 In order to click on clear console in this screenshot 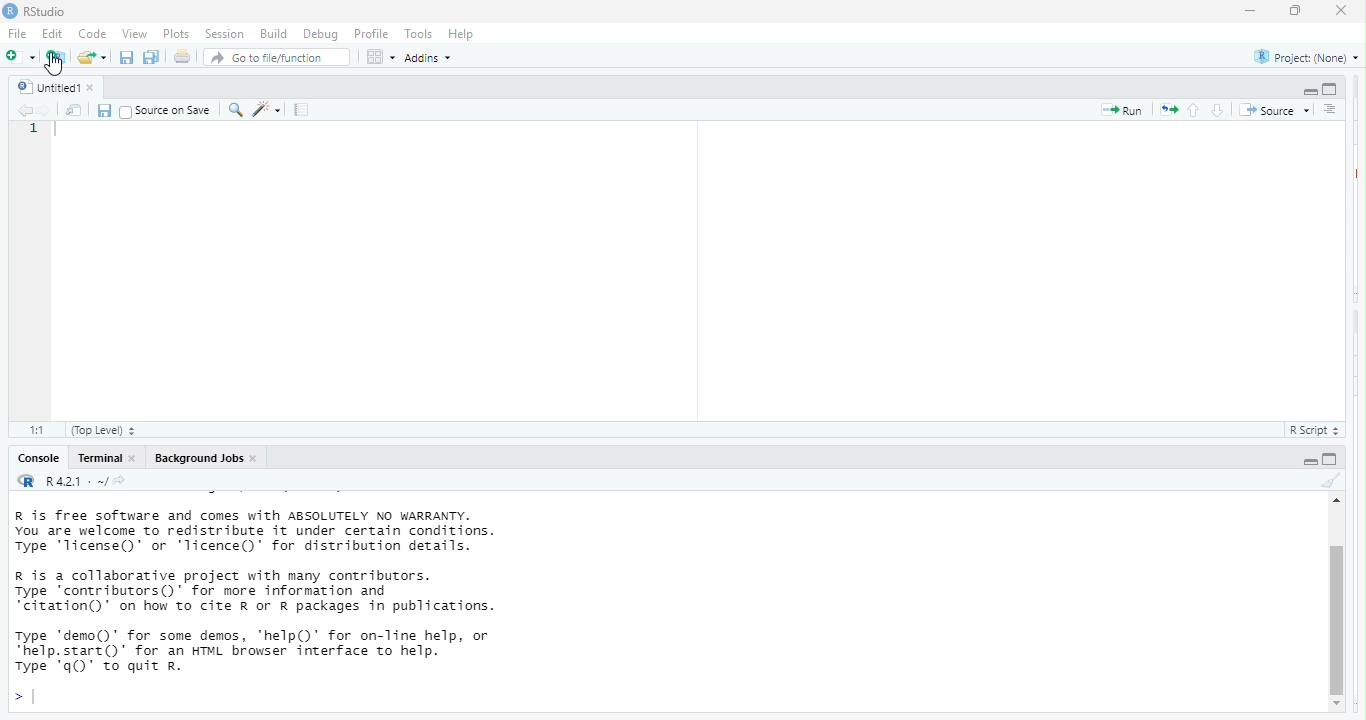, I will do `click(1328, 481)`.